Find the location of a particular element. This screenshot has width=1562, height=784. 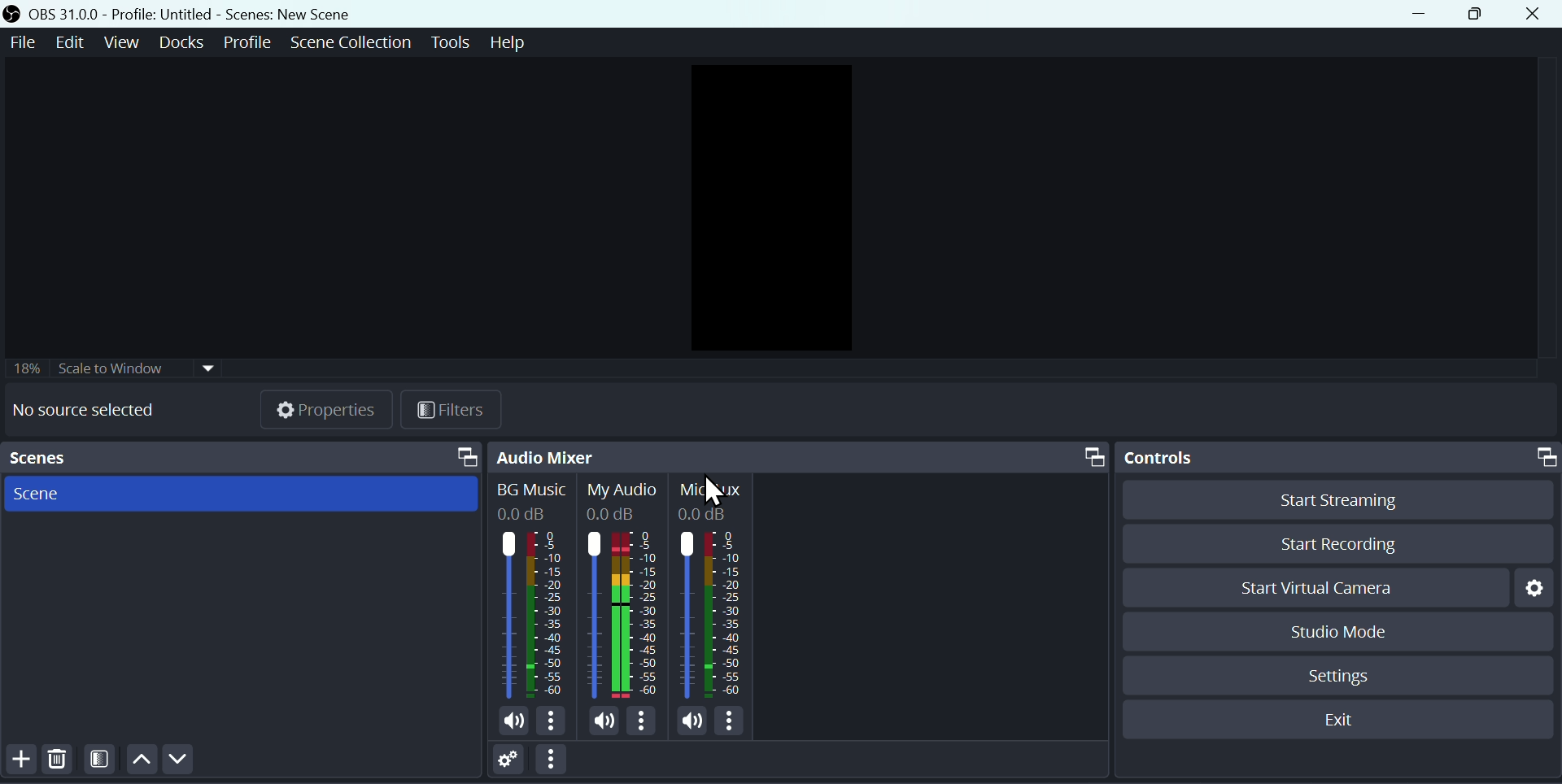

Mic Aux is located at coordinates (718, 485).